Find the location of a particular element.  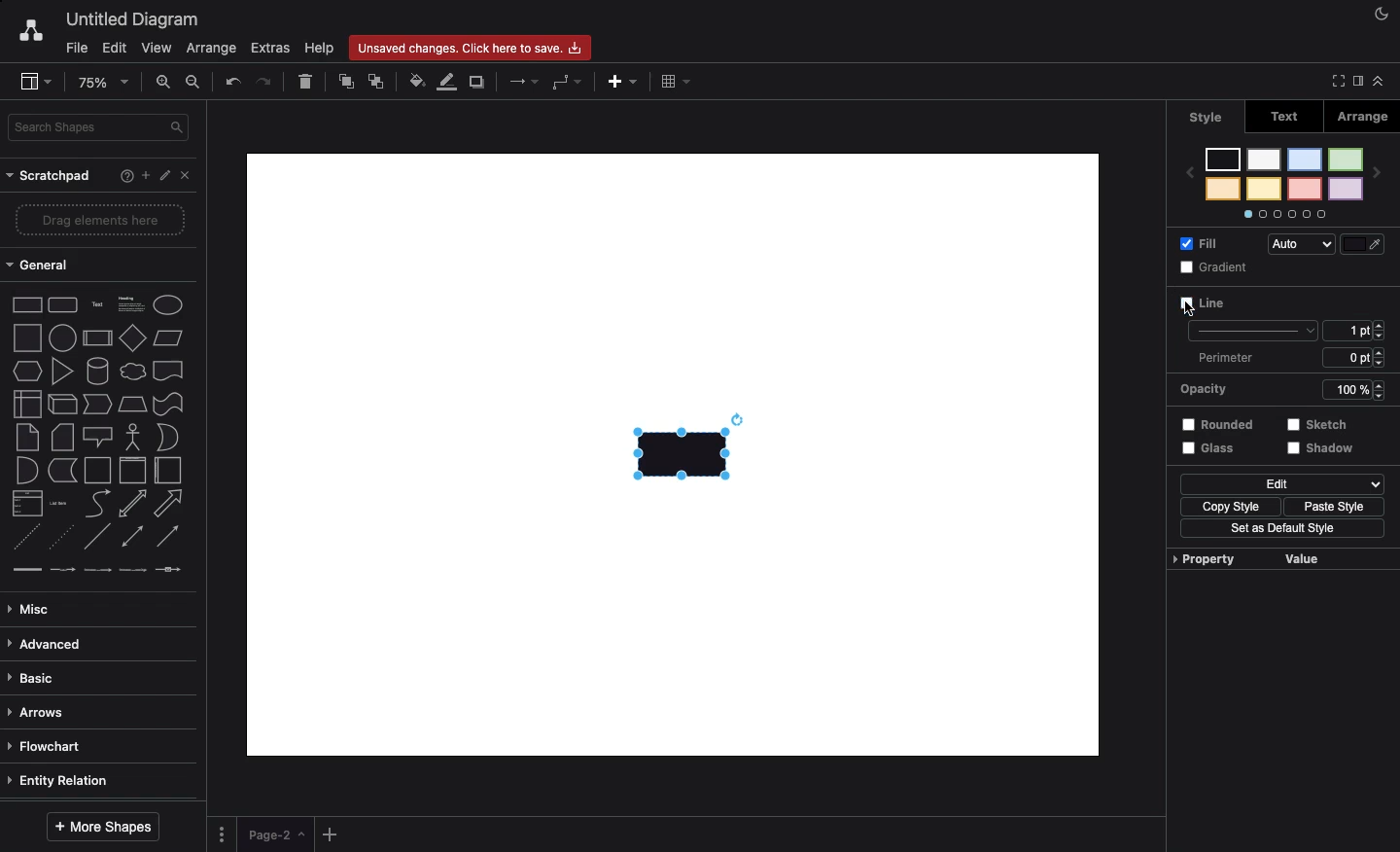

Zoom is located at coordinates (102, 83).